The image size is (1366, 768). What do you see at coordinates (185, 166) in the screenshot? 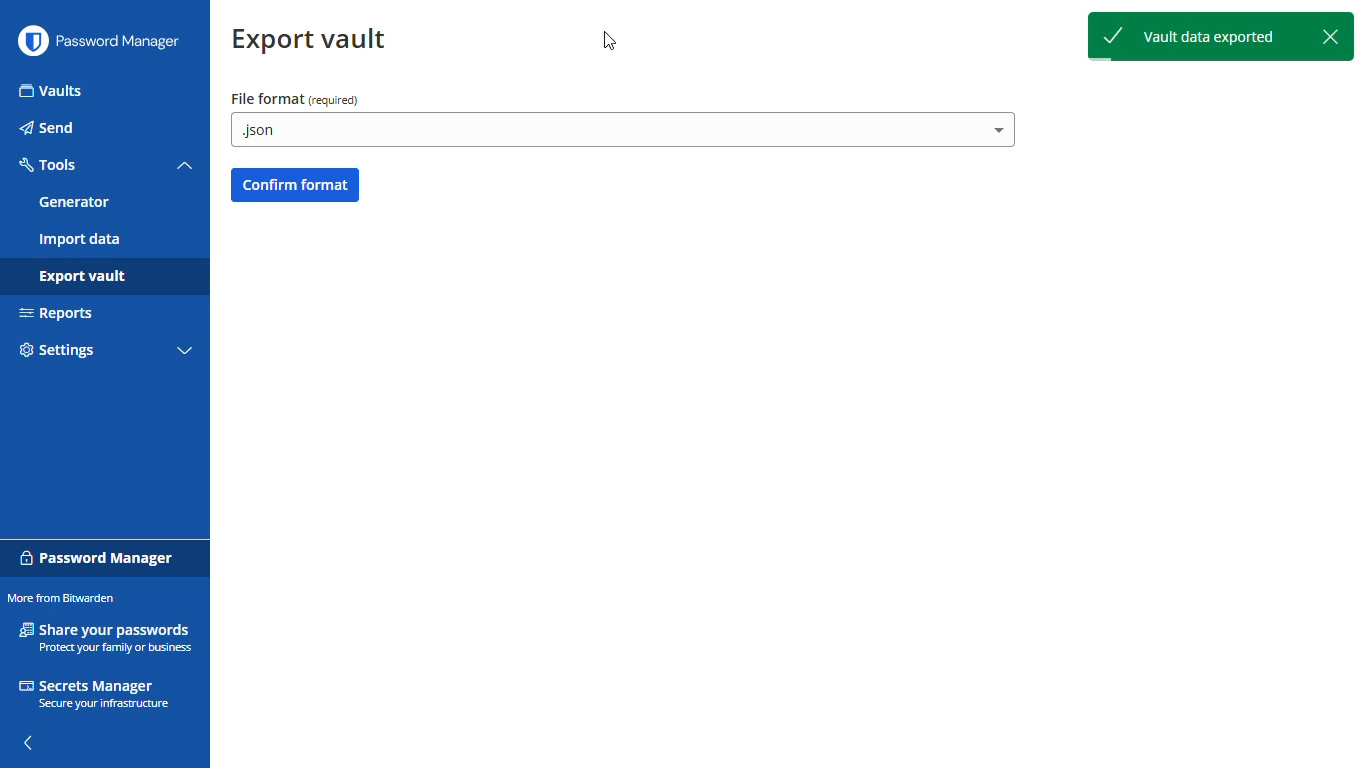
I see `toggle collapse` at bounding box center [185, 166].